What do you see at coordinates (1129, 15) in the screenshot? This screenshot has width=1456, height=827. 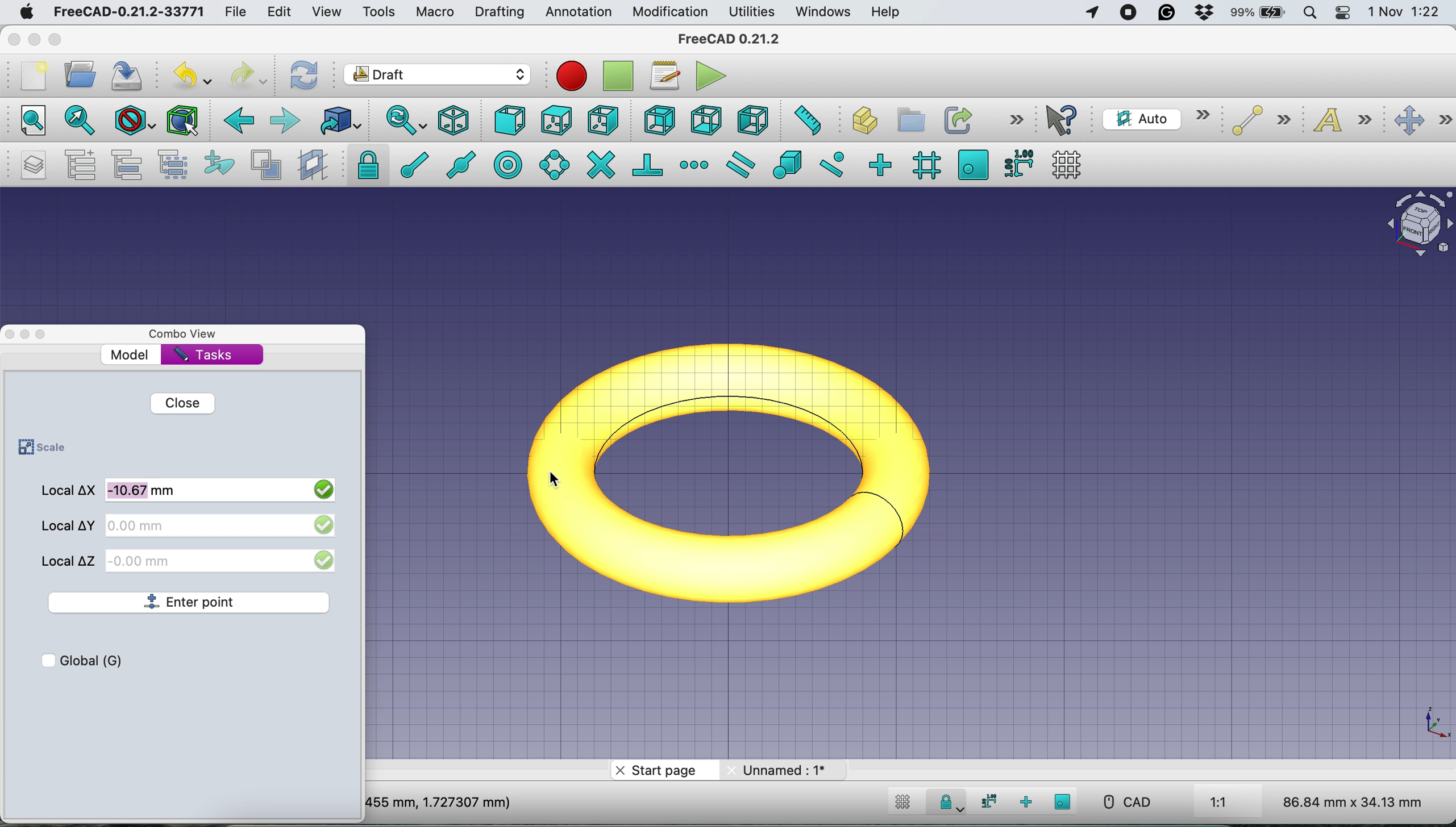 I see `screen recorder` at bounding box center [1129, 15].